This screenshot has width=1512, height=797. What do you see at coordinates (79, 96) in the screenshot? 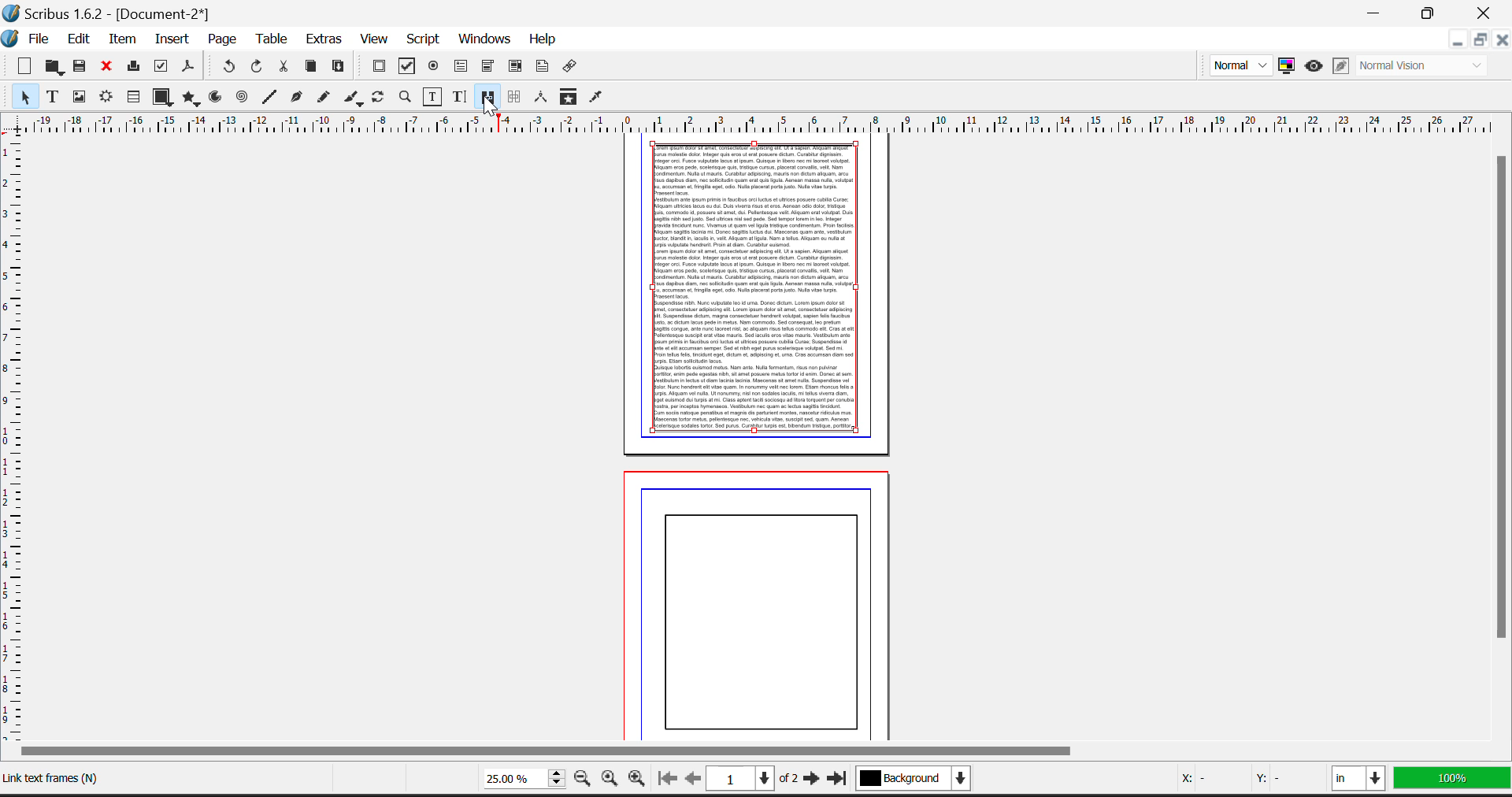
I see `Image Frames` at bounding box center [79, 96].